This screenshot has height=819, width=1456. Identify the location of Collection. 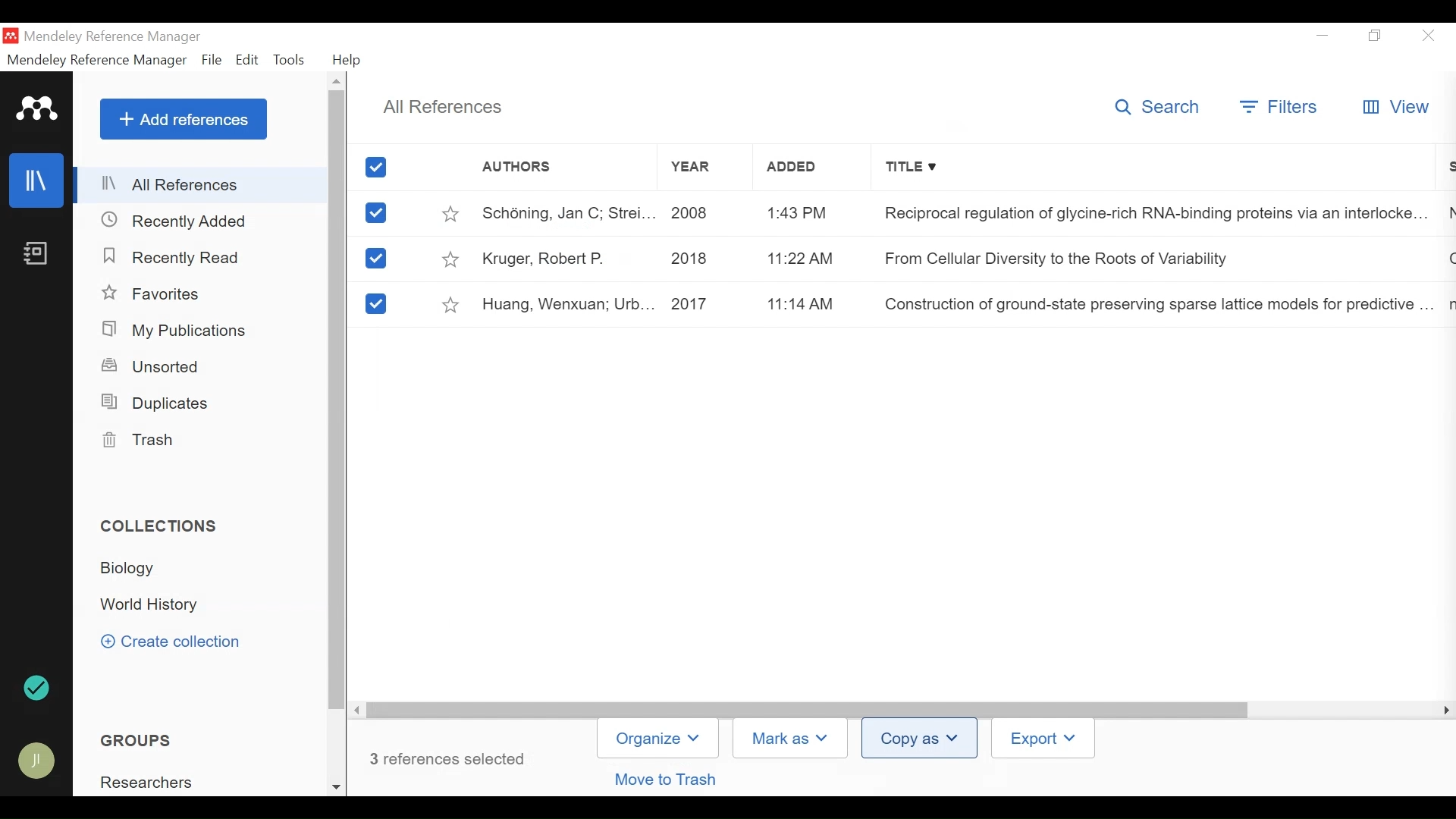
(154, 606).